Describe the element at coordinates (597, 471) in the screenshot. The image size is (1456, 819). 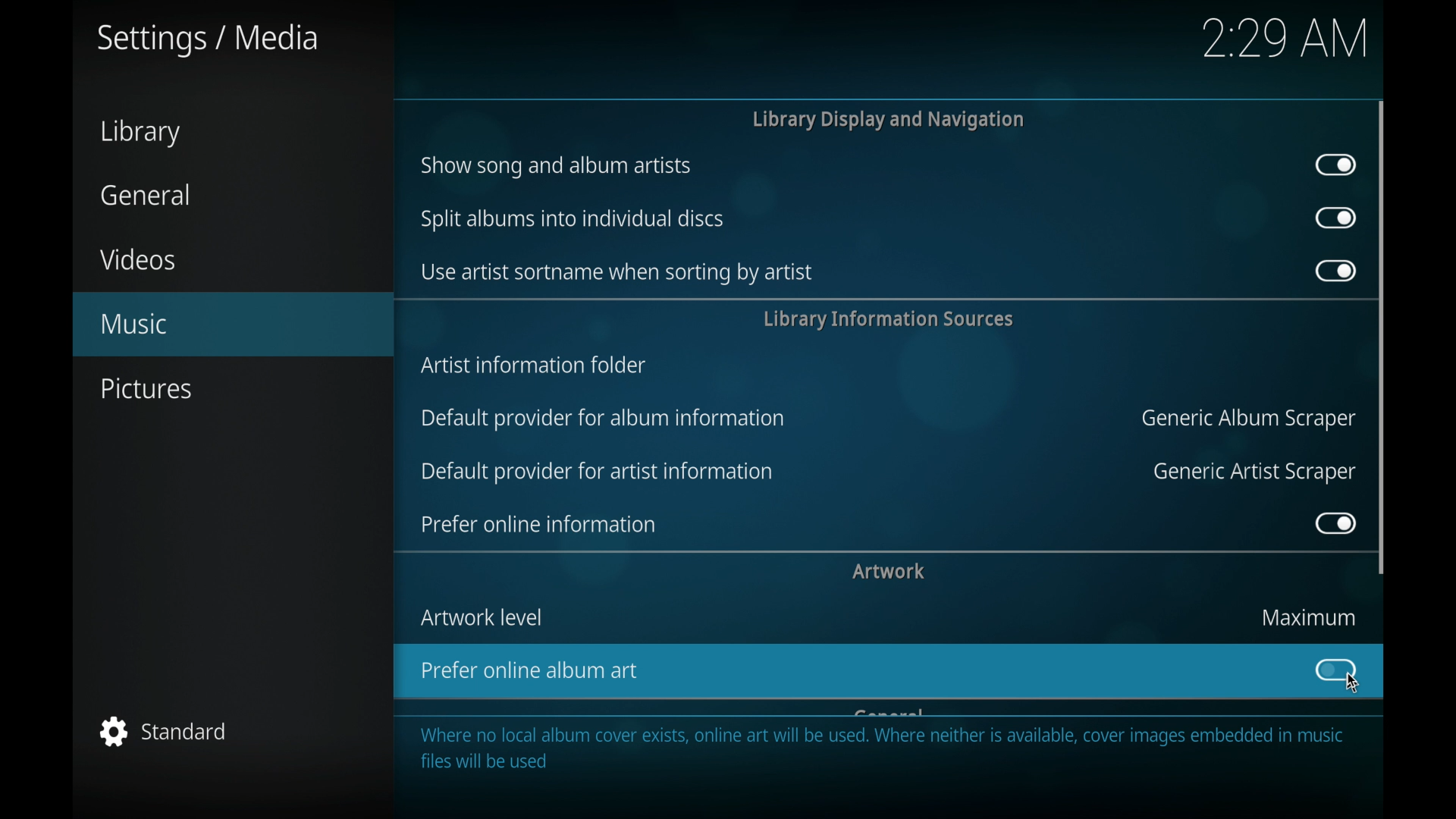
I see `default provider for artist information` at that location.